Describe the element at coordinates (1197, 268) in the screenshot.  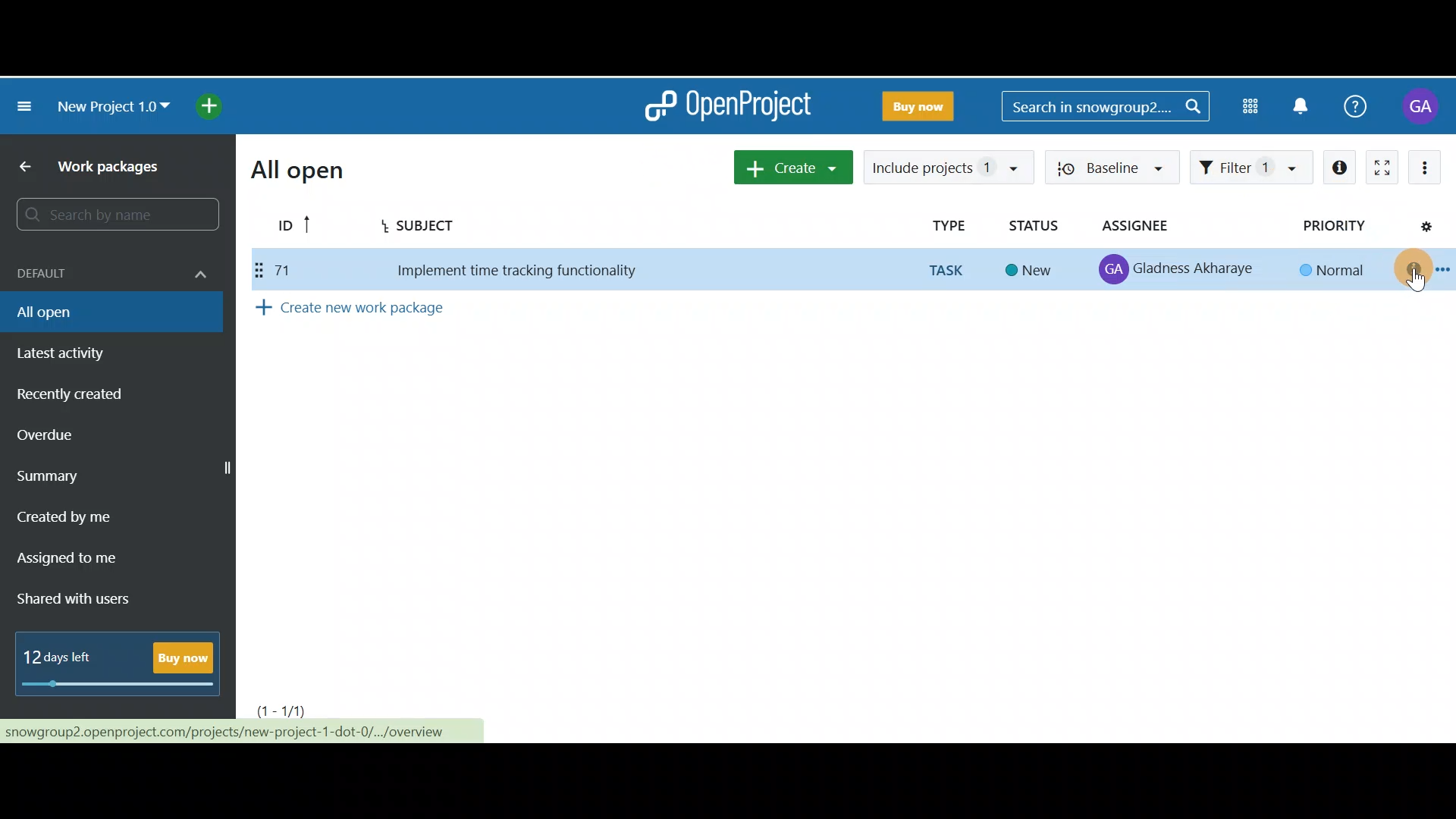
I see `Gladness Akharaye` at that location.